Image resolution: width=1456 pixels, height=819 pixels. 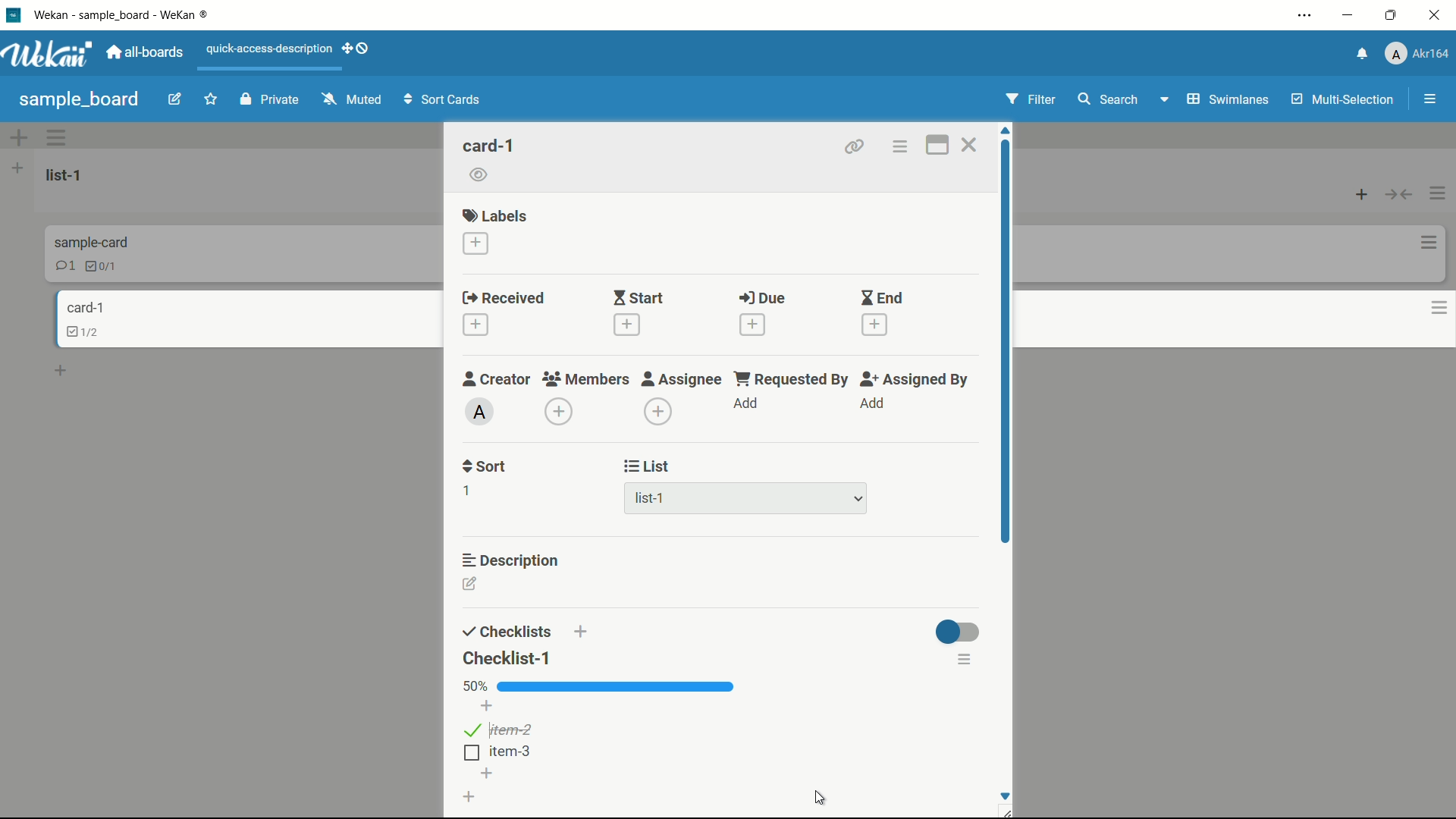 What do you see at coordinates (940, 145) in the screenshot?
I see `maximize card` at bounding box center [940, 145].